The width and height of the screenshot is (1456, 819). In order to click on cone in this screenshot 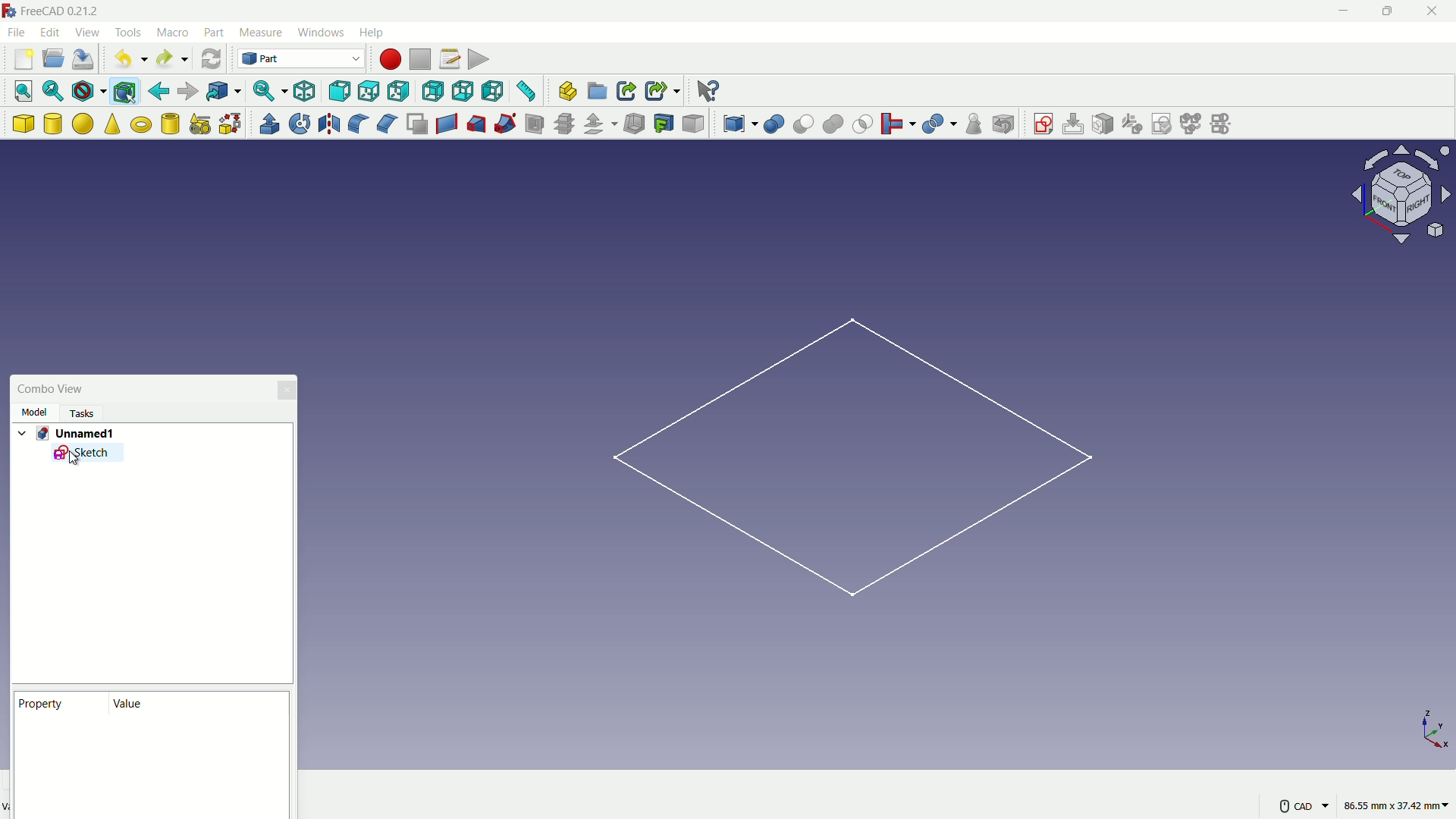, I will do `click(113, 123)`.